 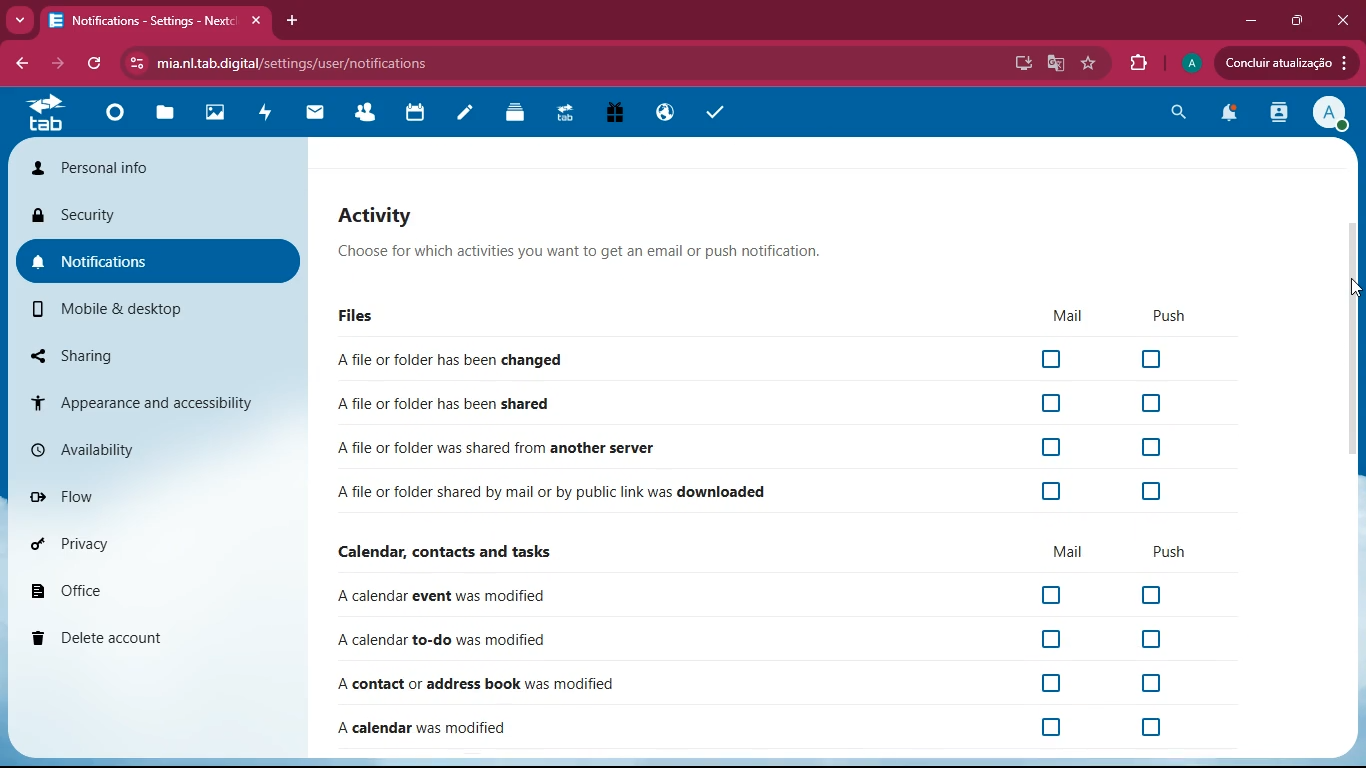 I want to click on gift, so click(x=616, y=114).